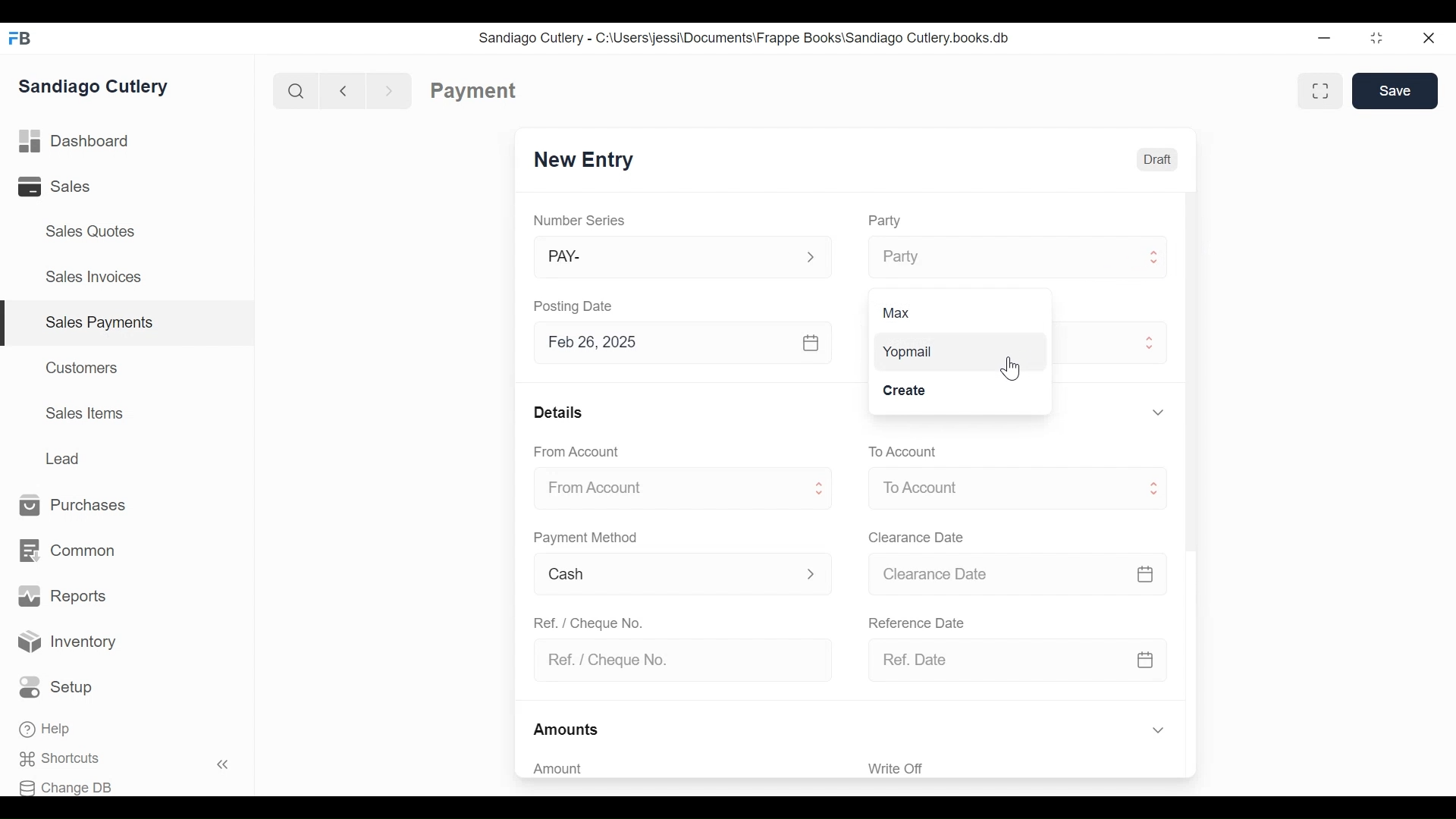 Image resolution: width=1456 pixels, height=819 pixels. What do you see at coordinates (578, 452) in the screenshot?
I see `From Account` at bounding box center [578, 452].